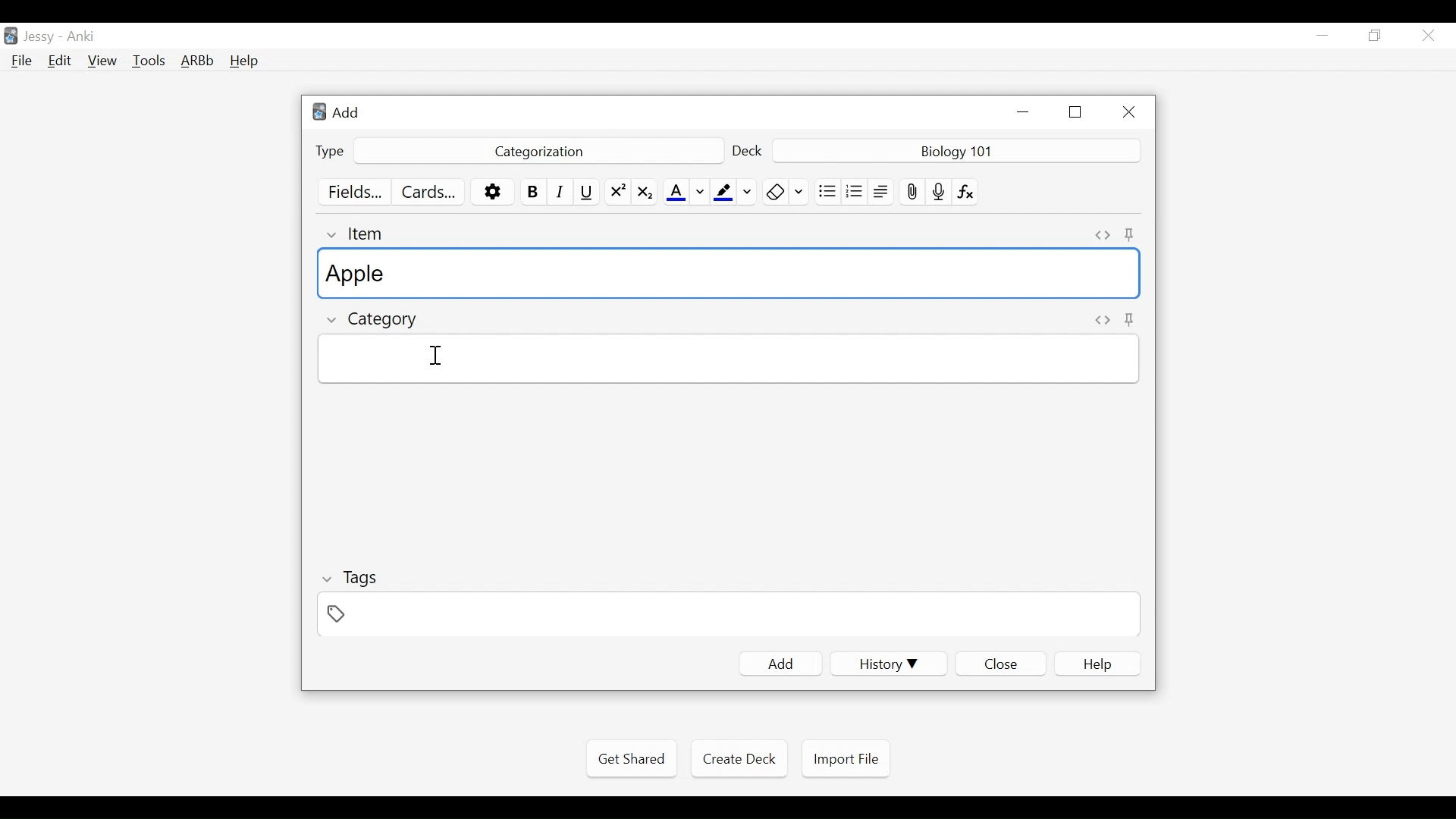 The width and height of the screenshot is (1456, 819). What do you see at coordinates (726, 613) in the screenshot?
I see `Field` at bounding box center [726, 613].